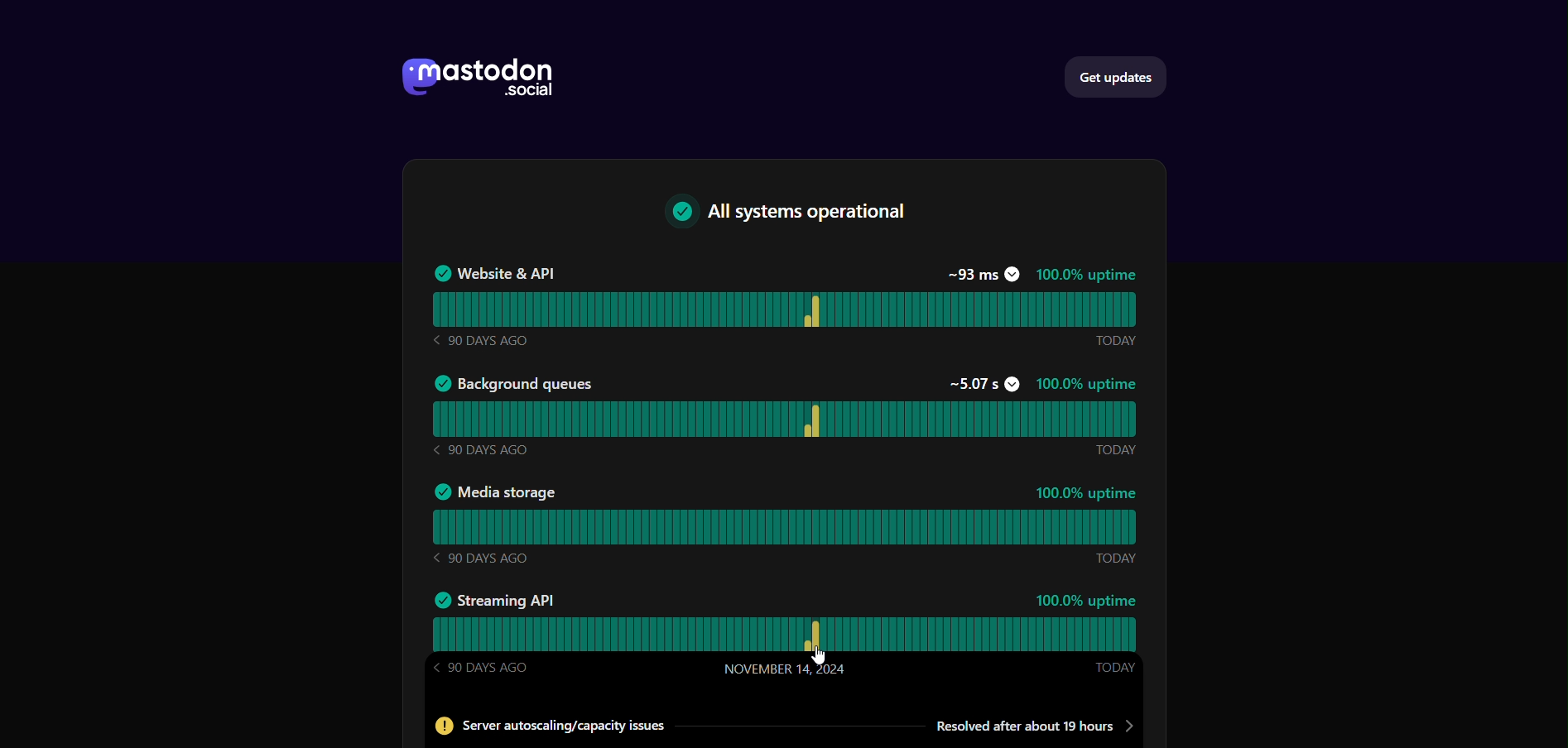  What do you see at coordinates (784, 309) in the screenshot?
I see `website and api status` at bounding box center [784, 309].